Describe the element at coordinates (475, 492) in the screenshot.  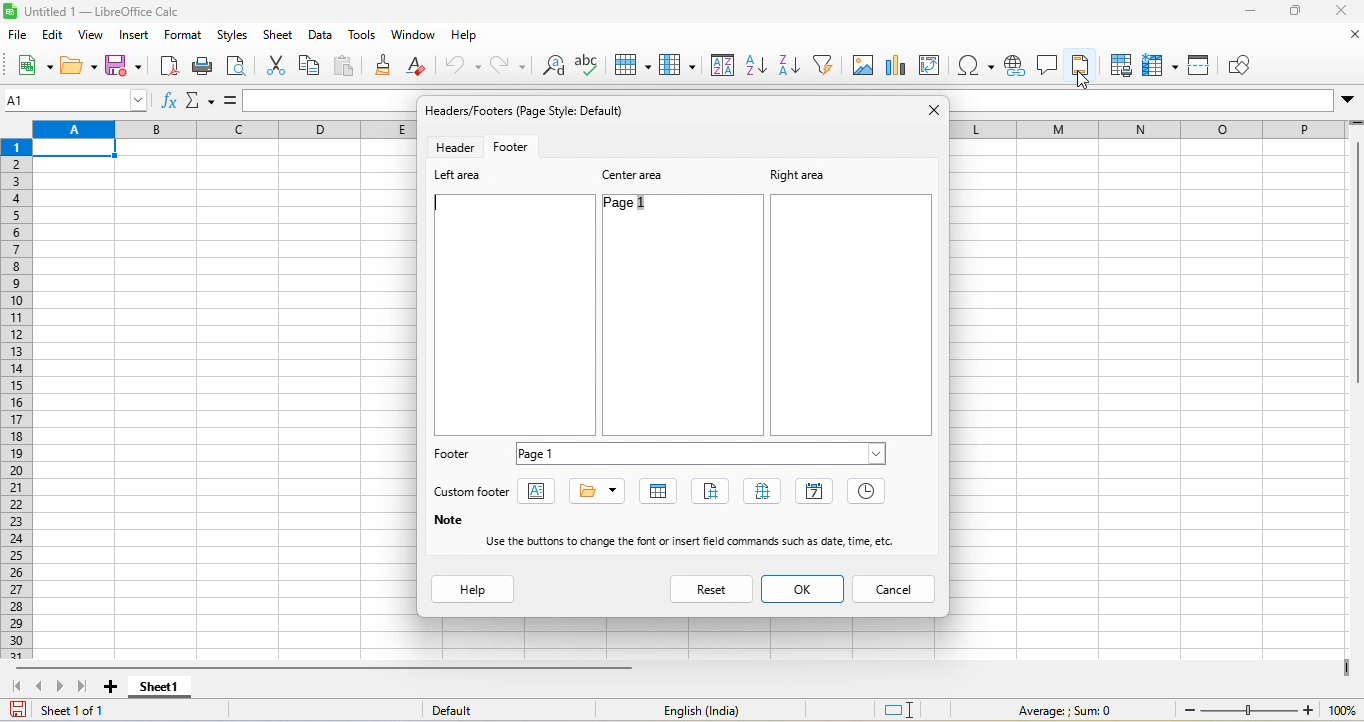
I see `custom footer` at that location.